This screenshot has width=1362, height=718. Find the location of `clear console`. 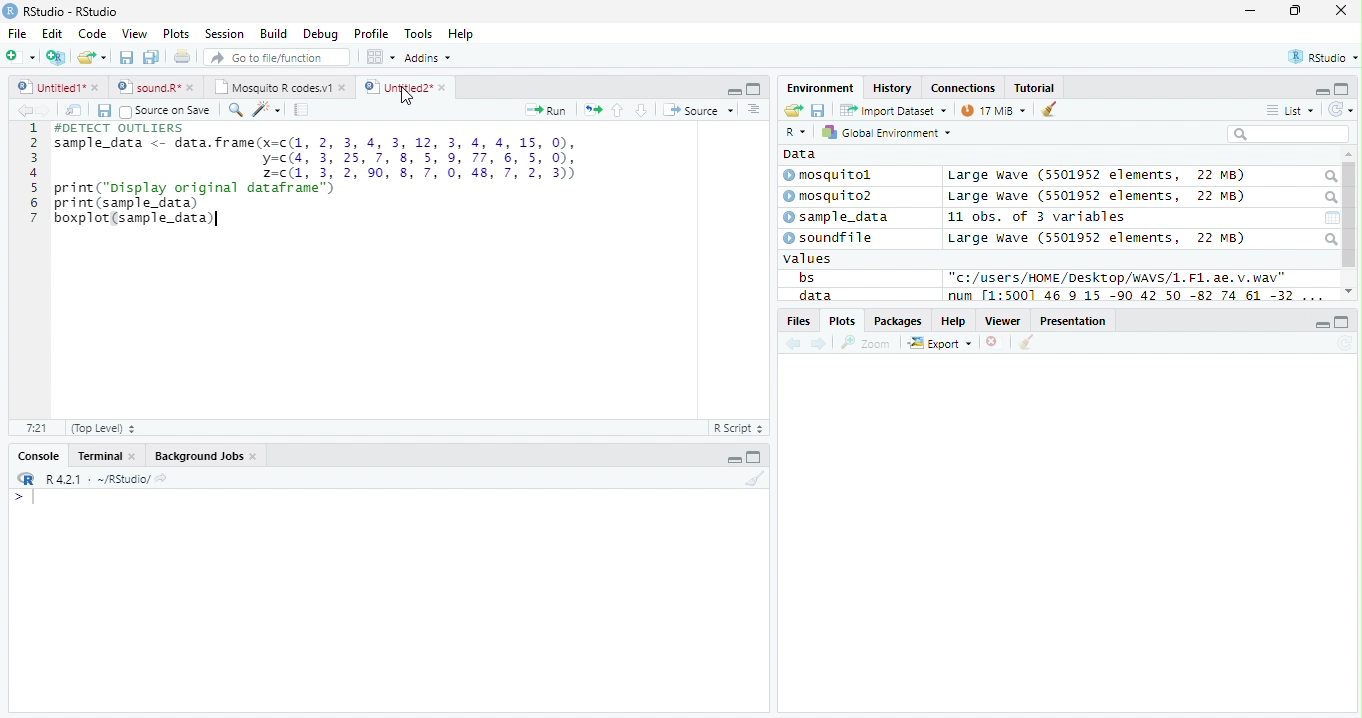

clear console is located at coordinates (1049, 108).